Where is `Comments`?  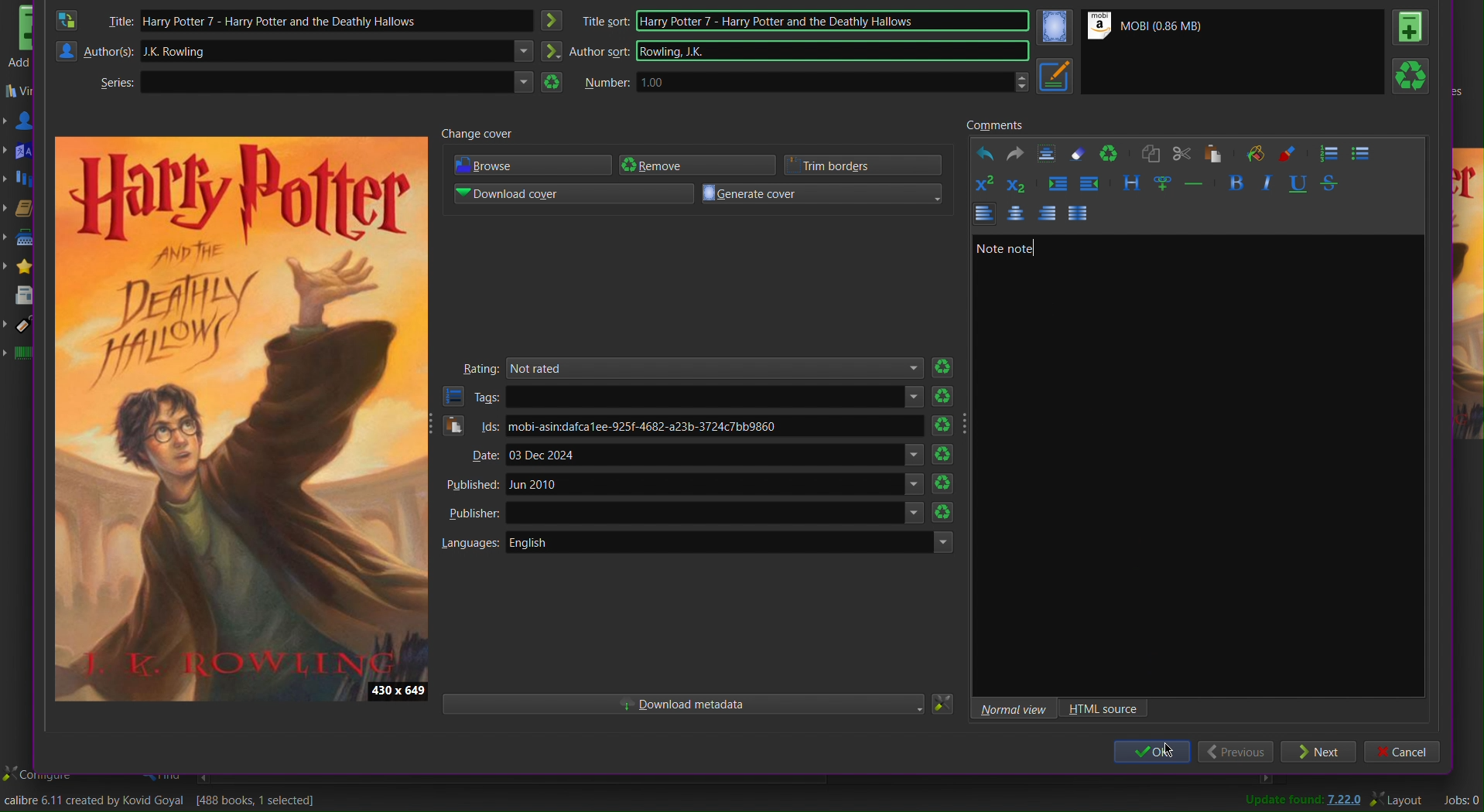 Comments is located at coordinates (994, 125).